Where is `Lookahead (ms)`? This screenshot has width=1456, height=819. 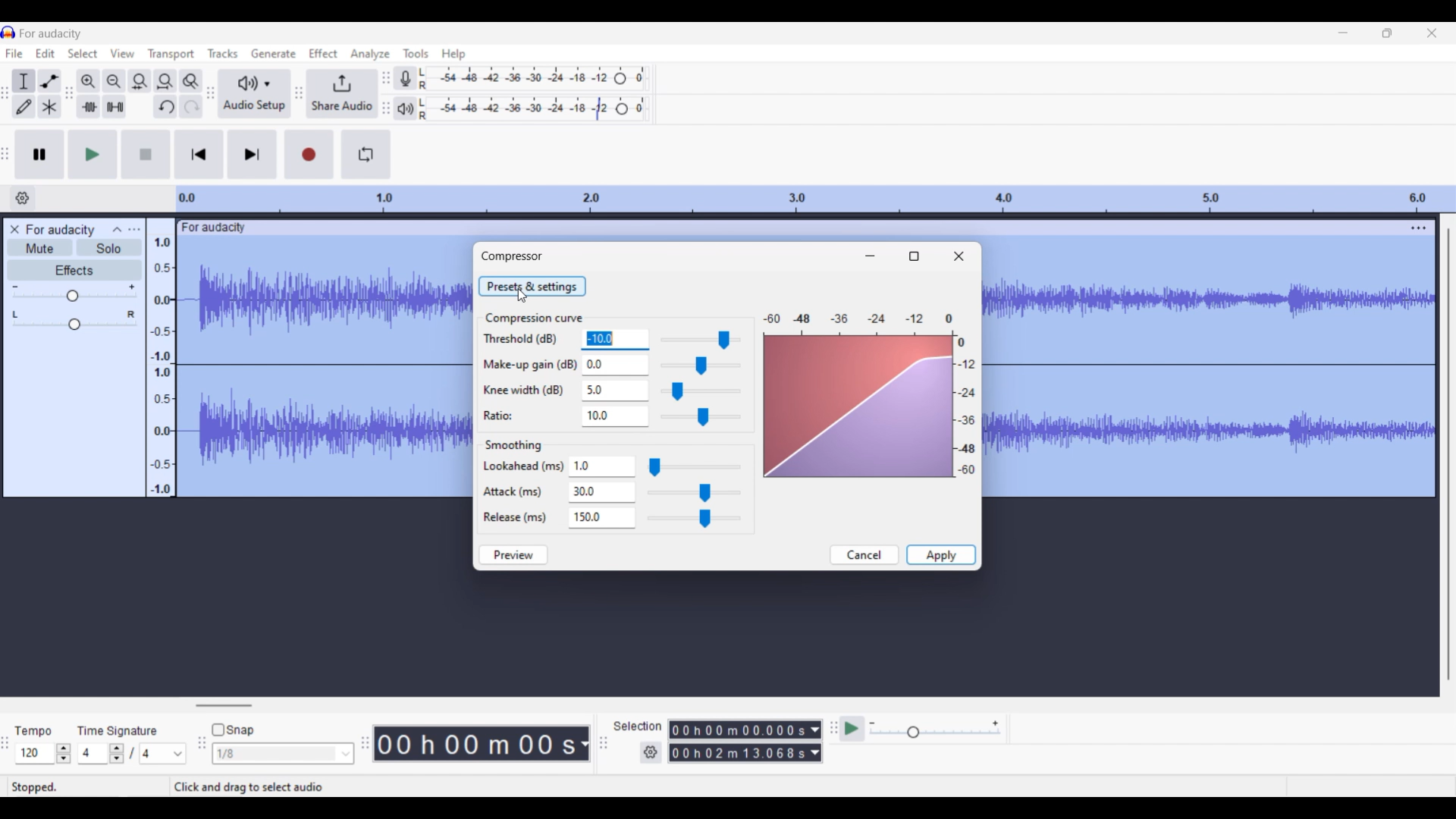
Lookahead (ms) is located at coordinates (523, 467).